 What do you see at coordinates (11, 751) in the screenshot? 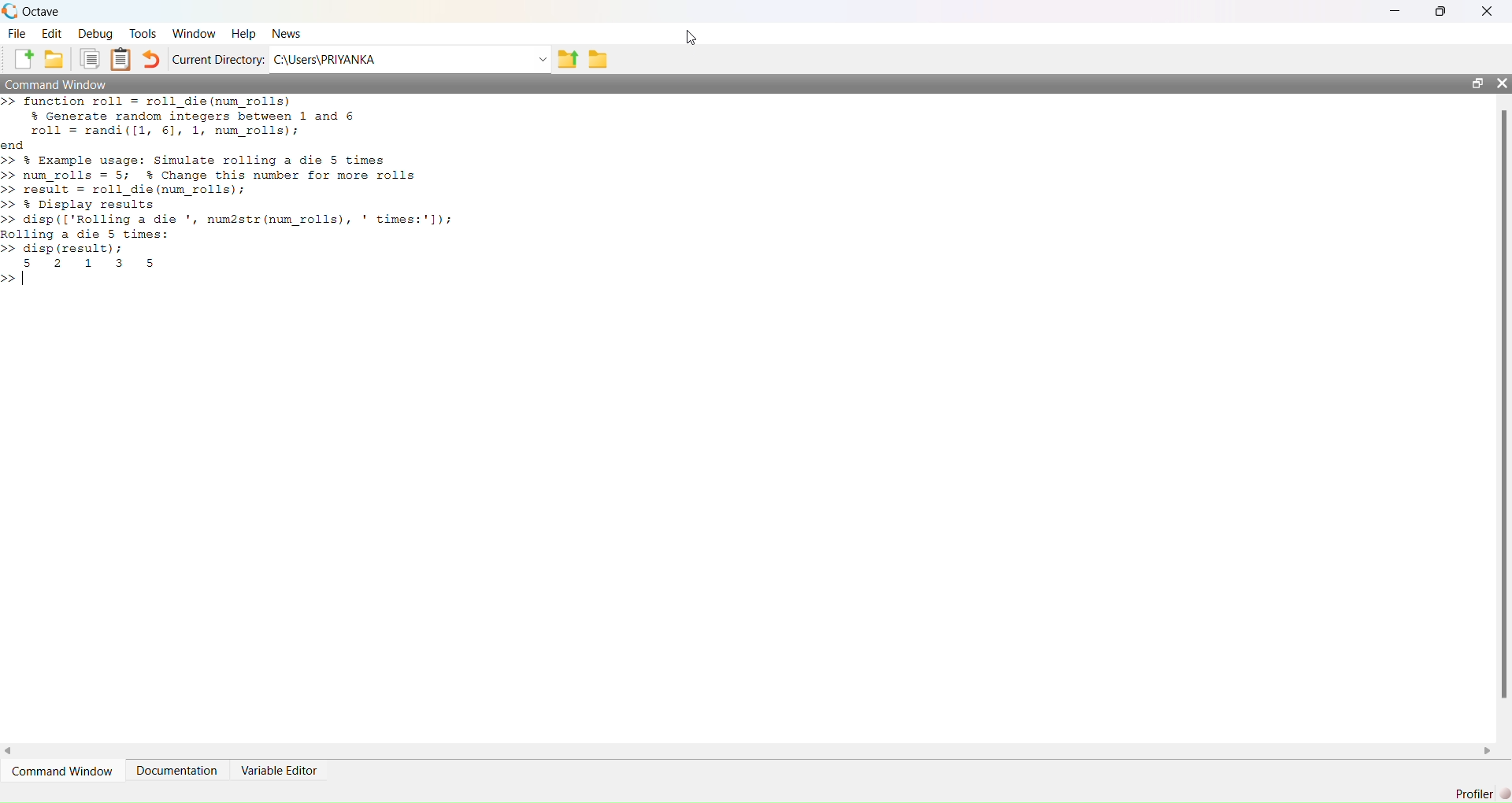
I see `scroll left` at bounding box center [11, 751].